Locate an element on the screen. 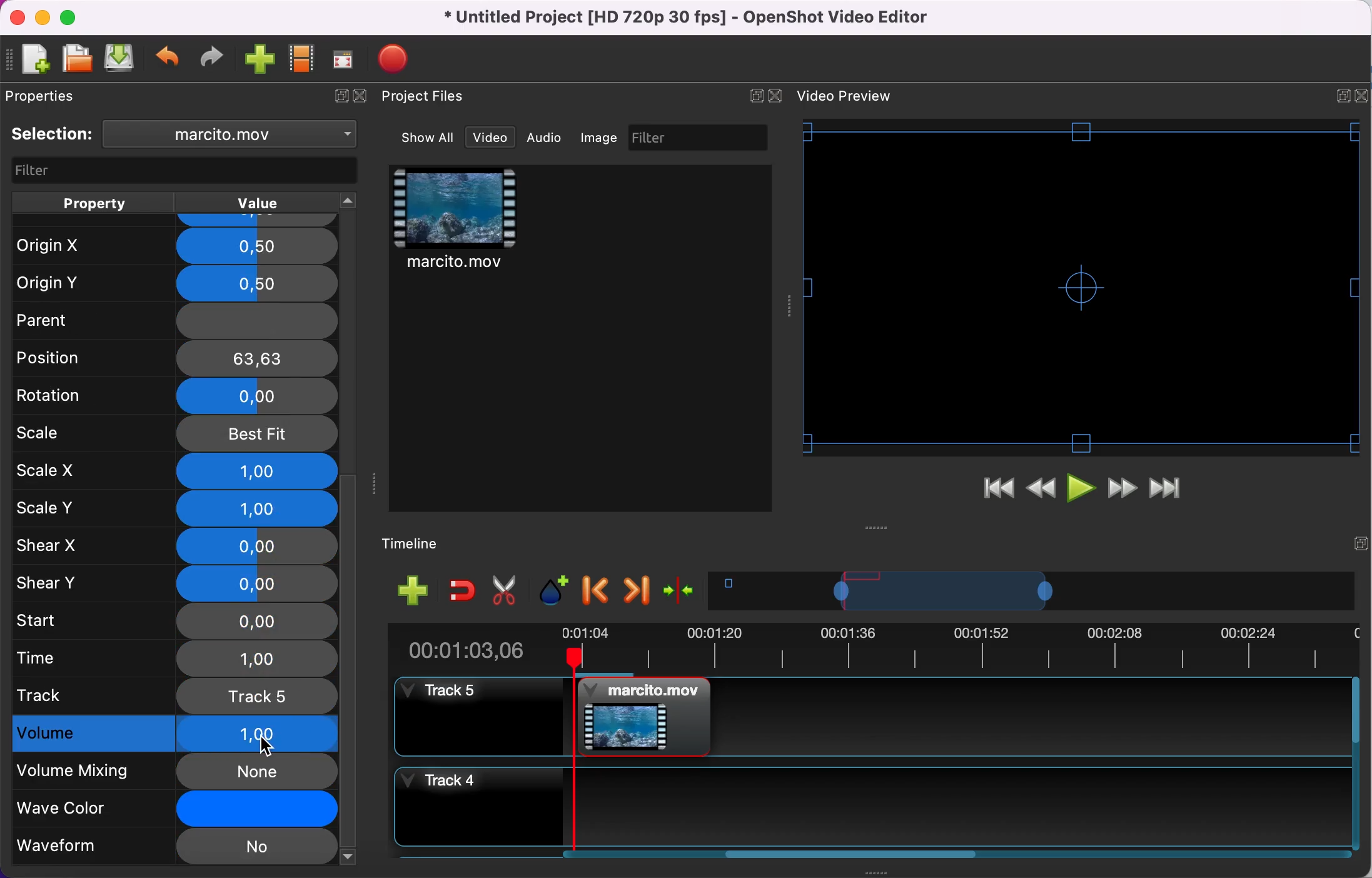 The height and width of the screenshot is (878, 1372). maximize is located at coordinates (72, 17).